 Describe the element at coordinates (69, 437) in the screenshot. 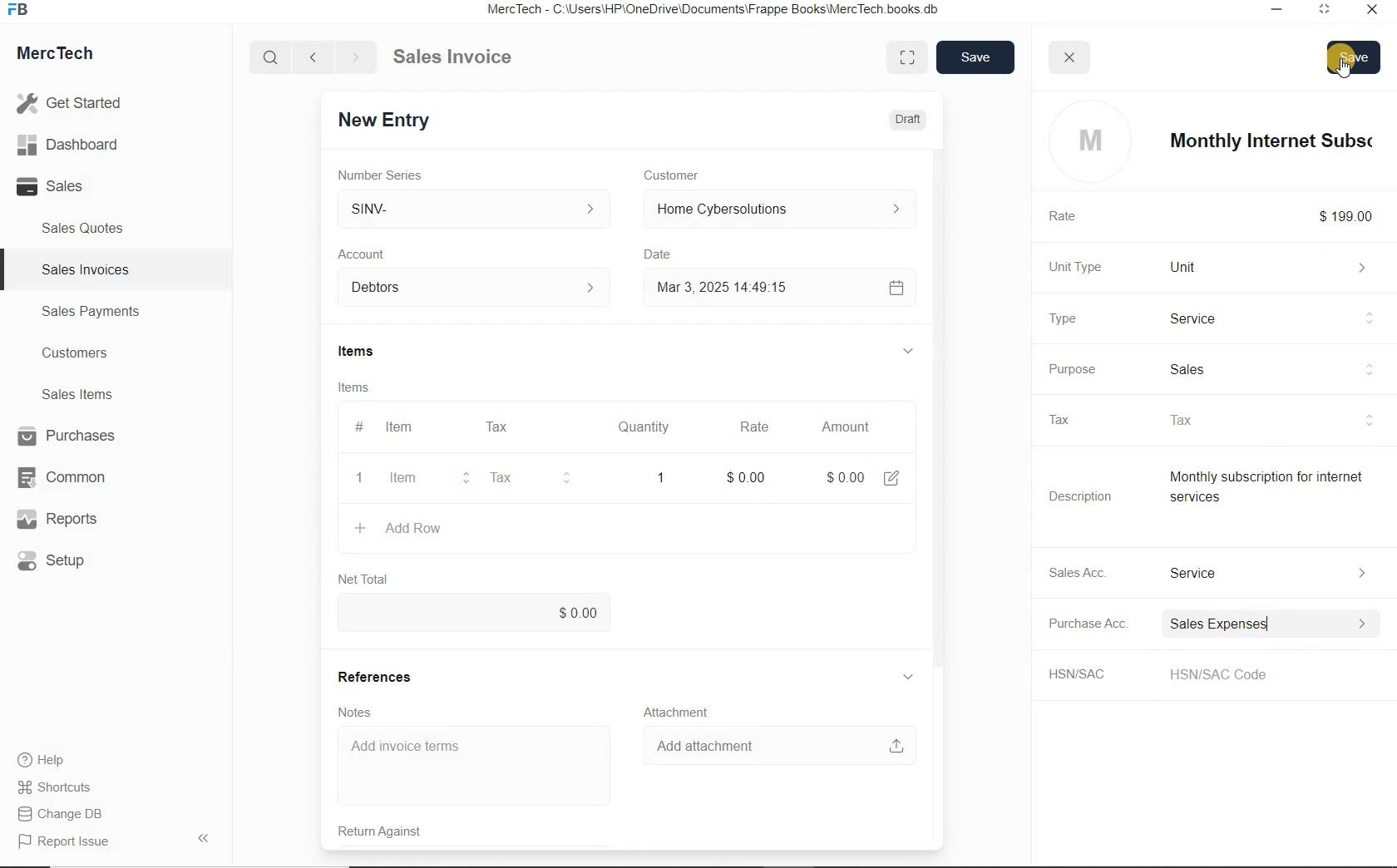

I see `Purchases` at that location.